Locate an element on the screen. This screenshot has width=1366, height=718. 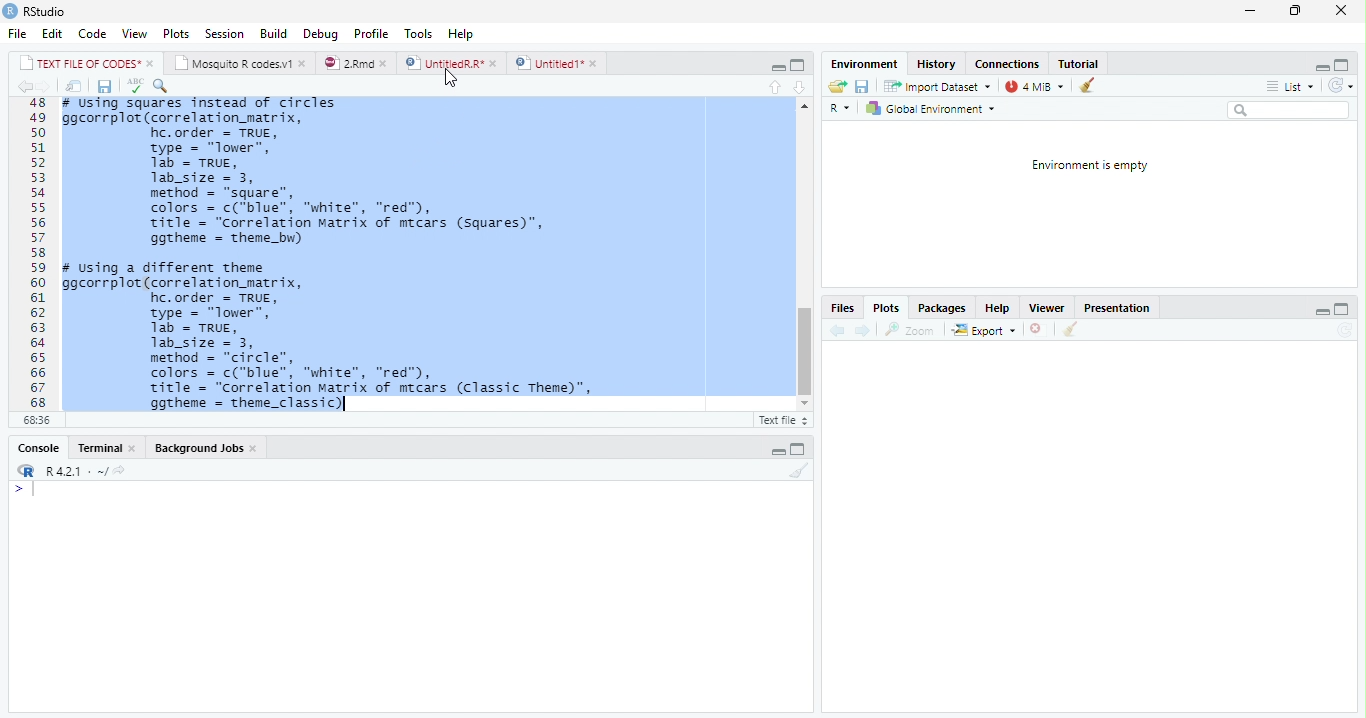
minimize is located at coordinates (1249, 13).